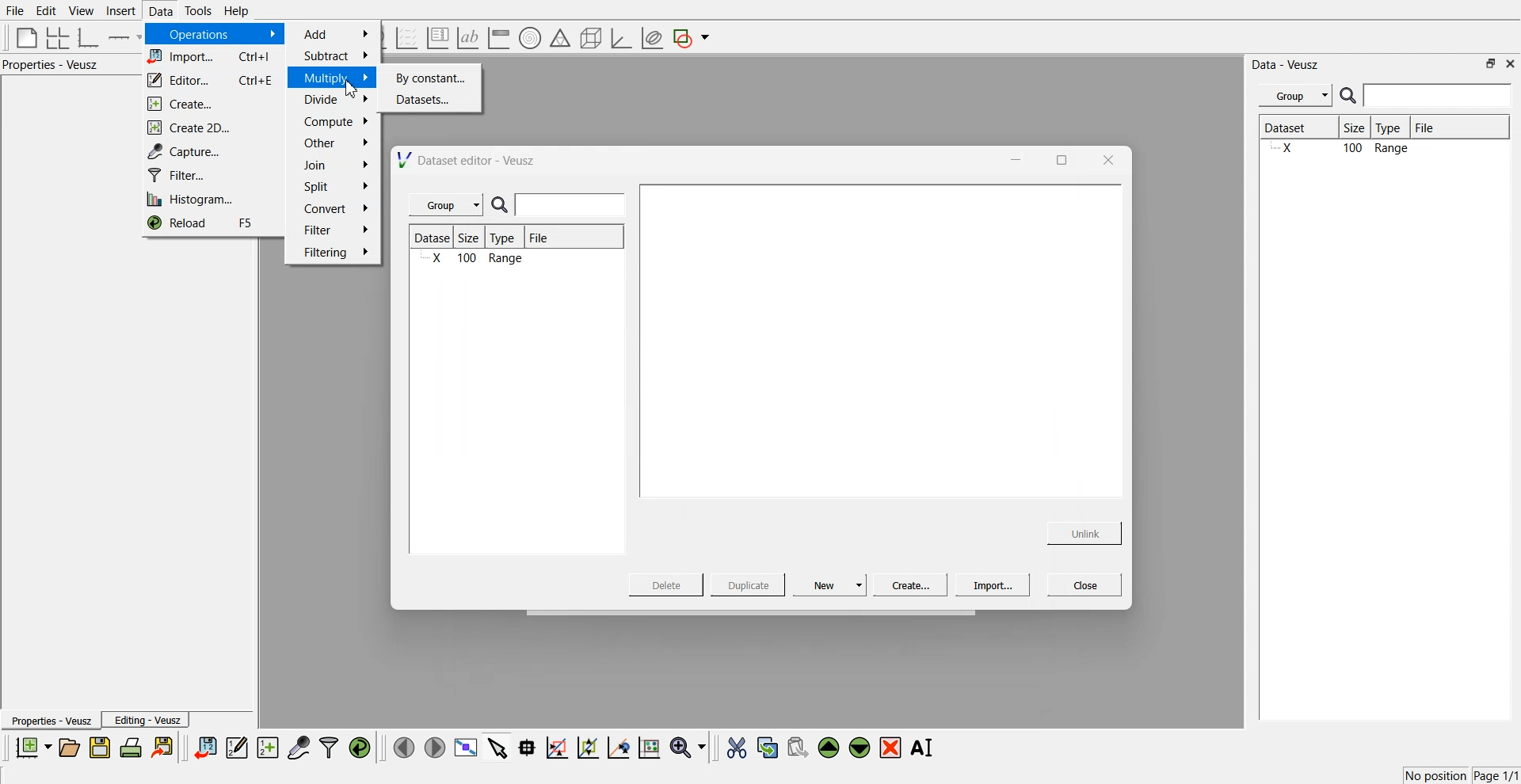 The image size is (1521, 784). Describe the element at coordinates (588, 38) in the screenshot. I see `3d shapes` at that location.